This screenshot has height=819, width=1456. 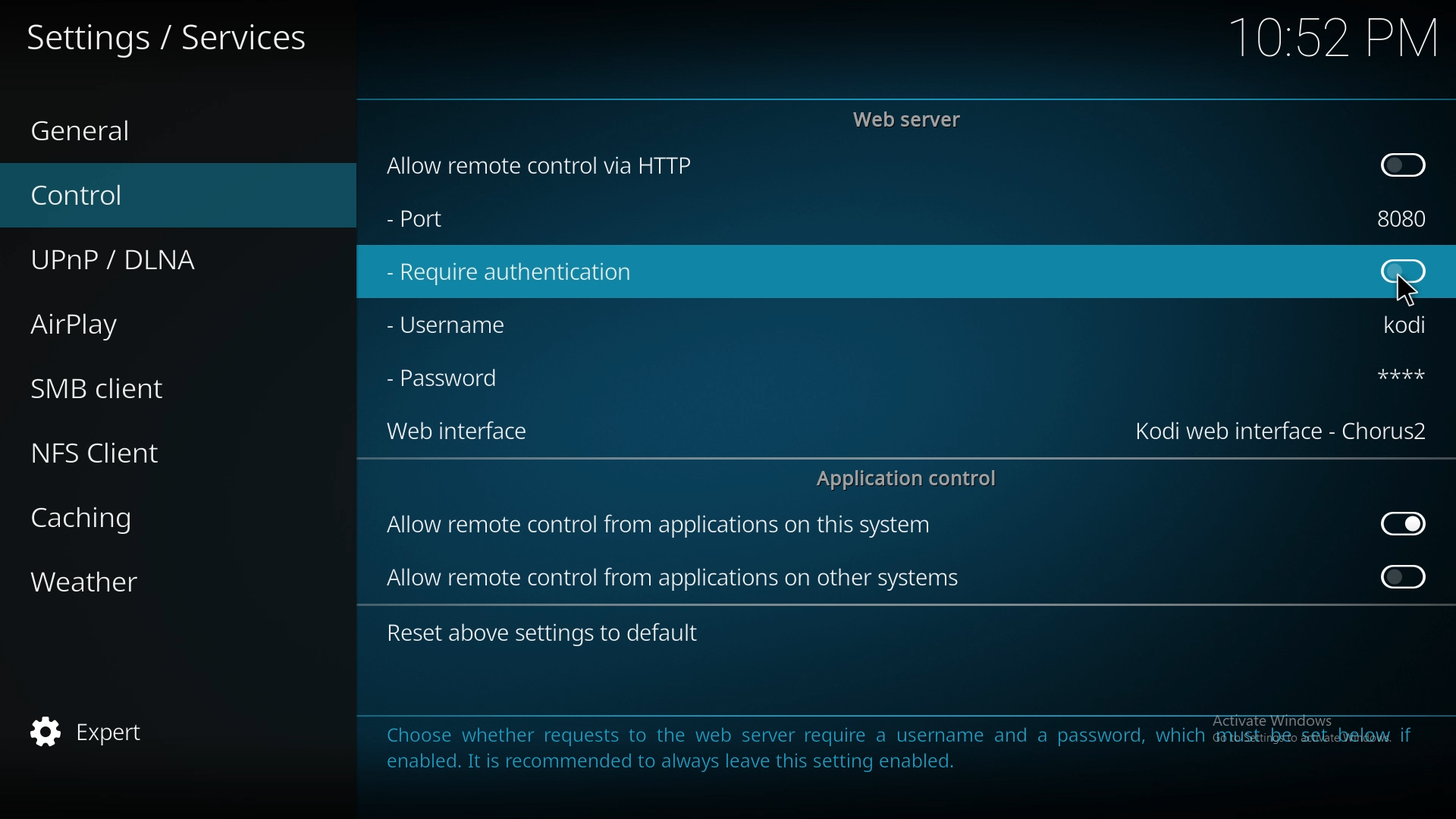 What do you see at coordinates (1284, 431) in the screenshot?
I see `web interface` at bounding box center [1284, 431].